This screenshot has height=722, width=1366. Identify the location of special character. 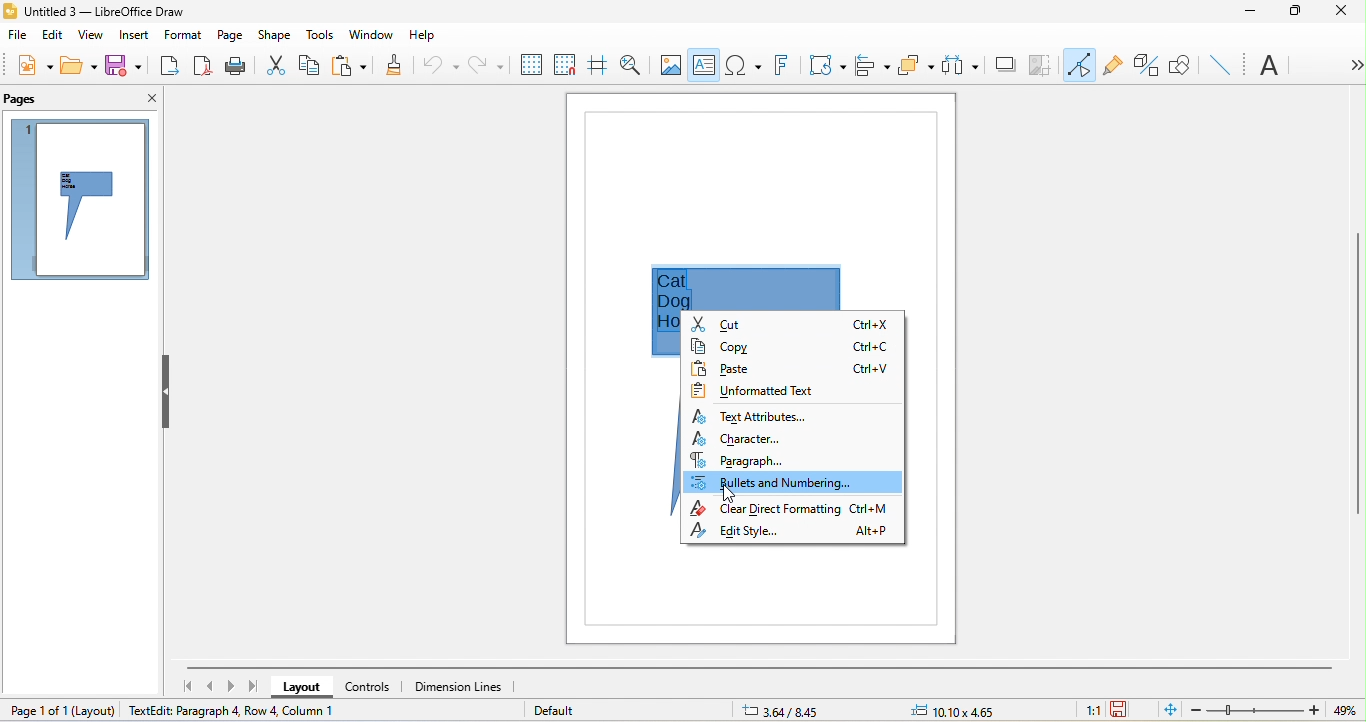
(743, 64).